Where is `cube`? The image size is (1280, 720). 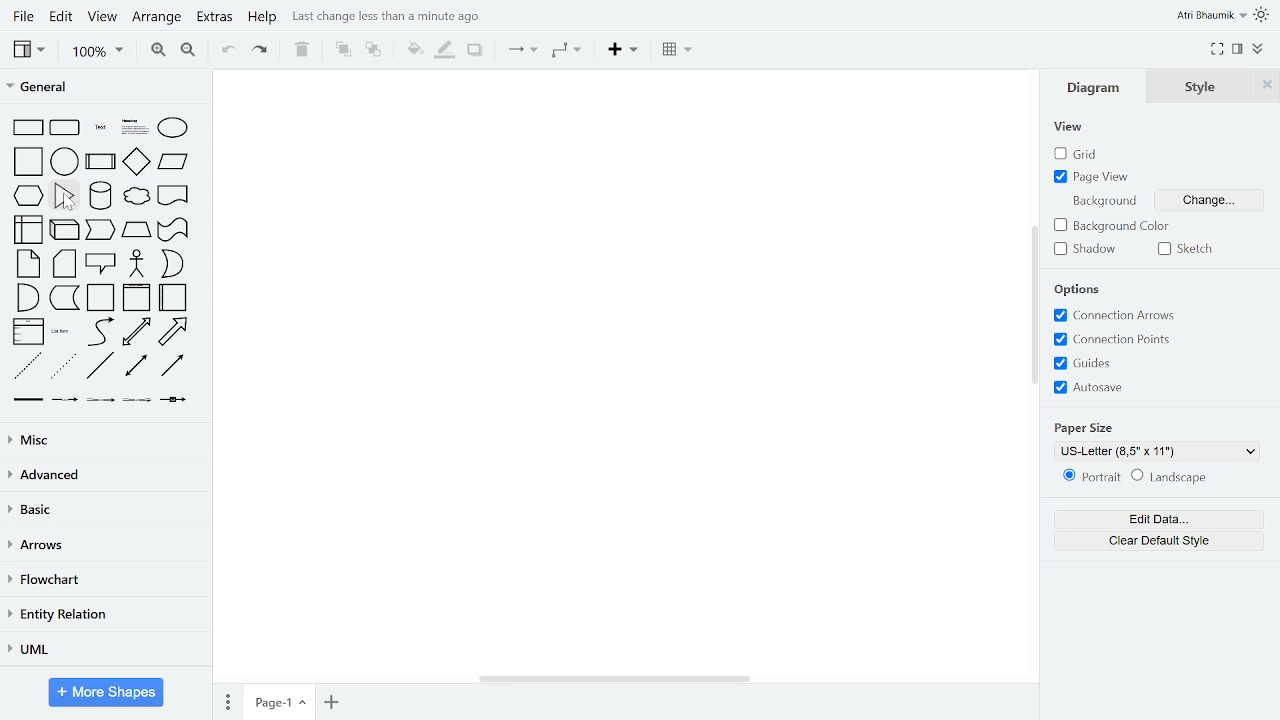
cube is located at coordinates (65, 229).